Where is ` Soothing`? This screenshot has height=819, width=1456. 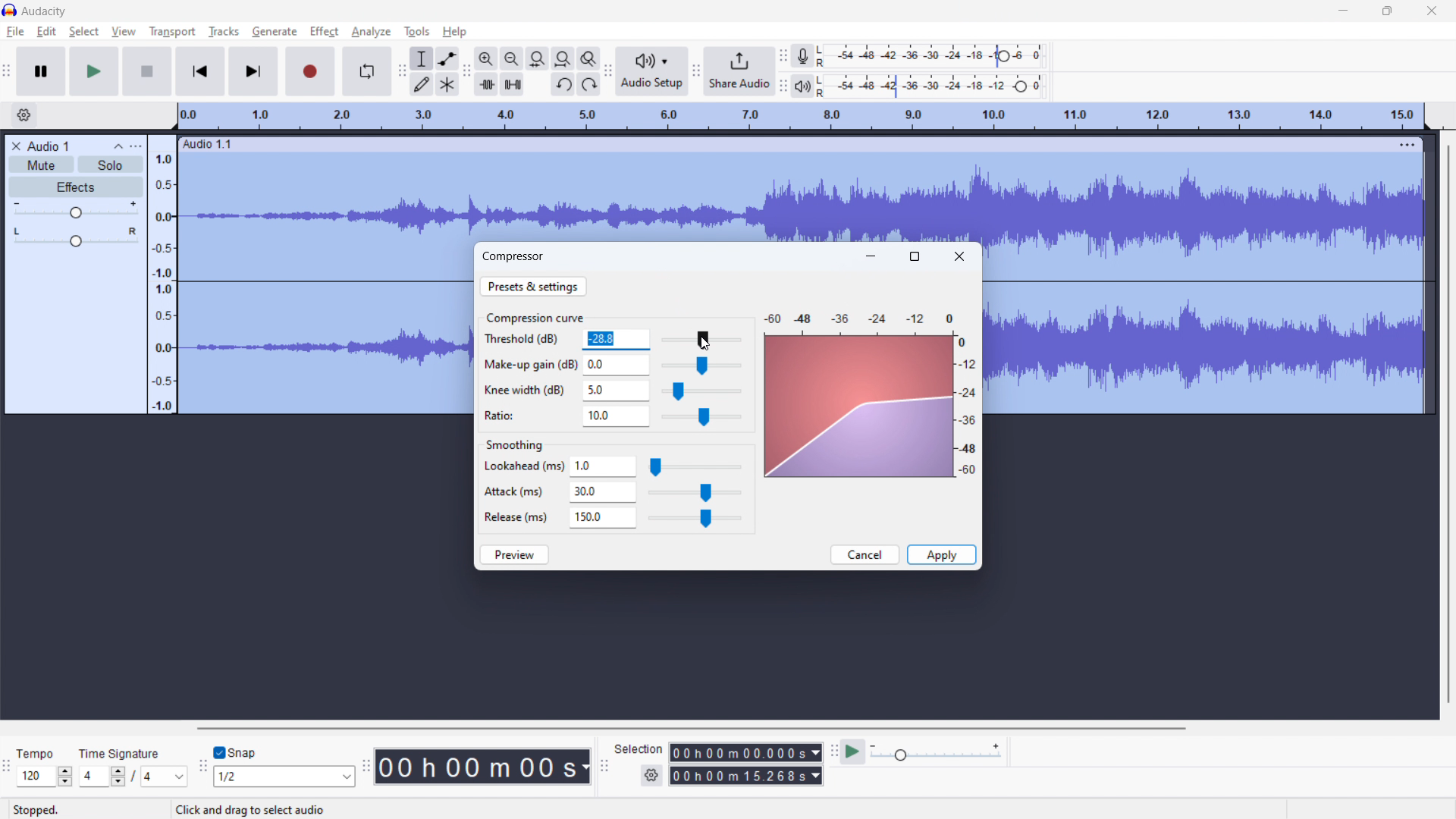
 Soothing is located at coordinates (522, 442).